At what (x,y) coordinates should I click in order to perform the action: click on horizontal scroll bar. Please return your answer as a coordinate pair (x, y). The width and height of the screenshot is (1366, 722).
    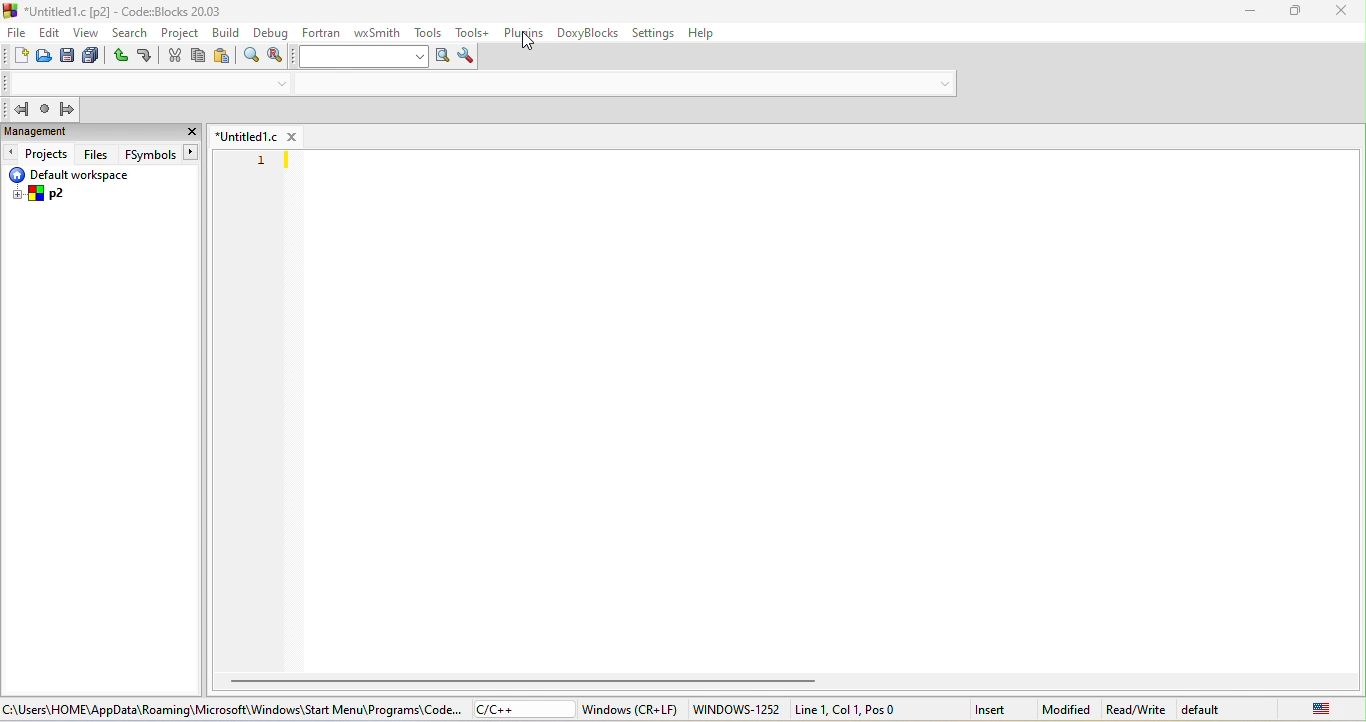
    Looking at the image, I should click on (524, 678).